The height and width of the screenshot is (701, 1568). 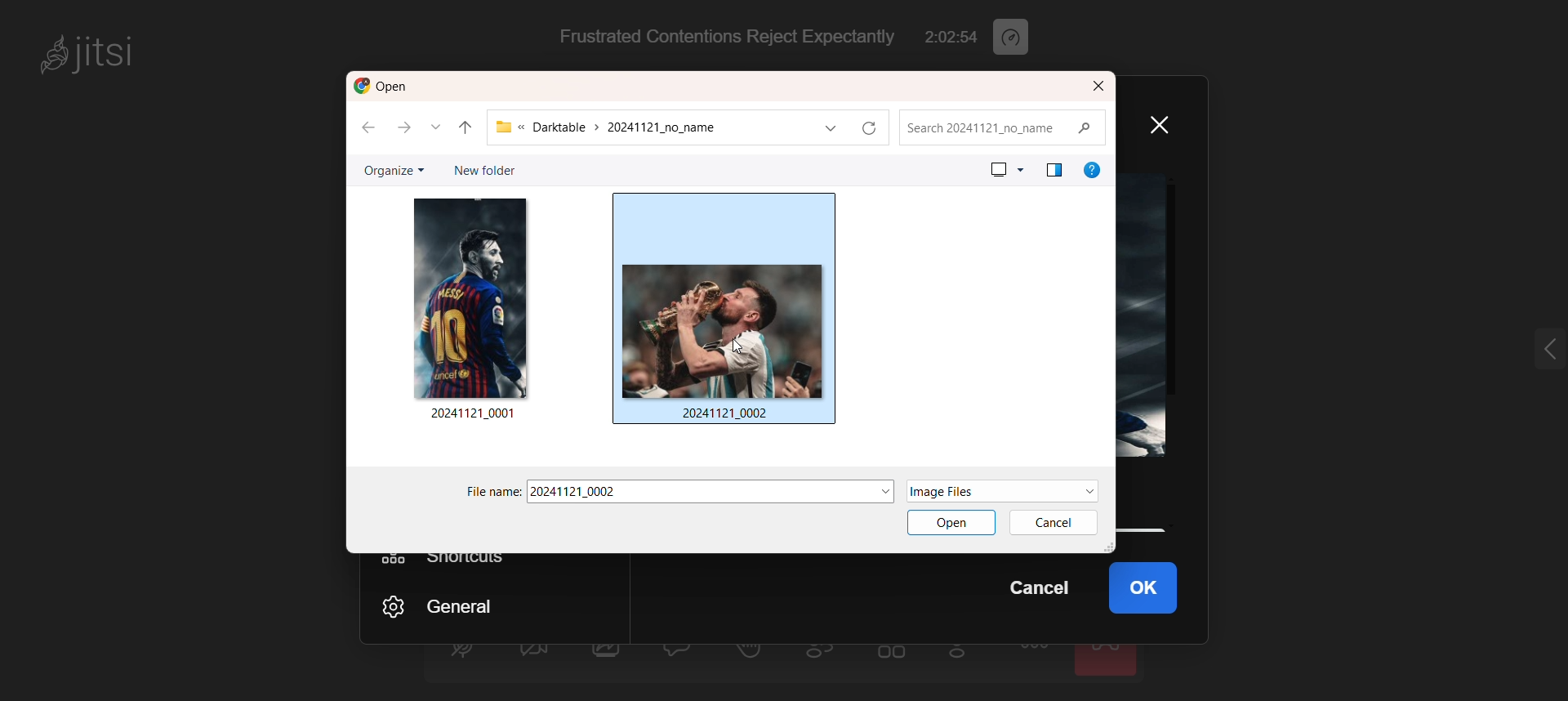 What do you see at coordinates (387, 87) in the screenshot?
I see `logo` at bounding box center [387, 87].